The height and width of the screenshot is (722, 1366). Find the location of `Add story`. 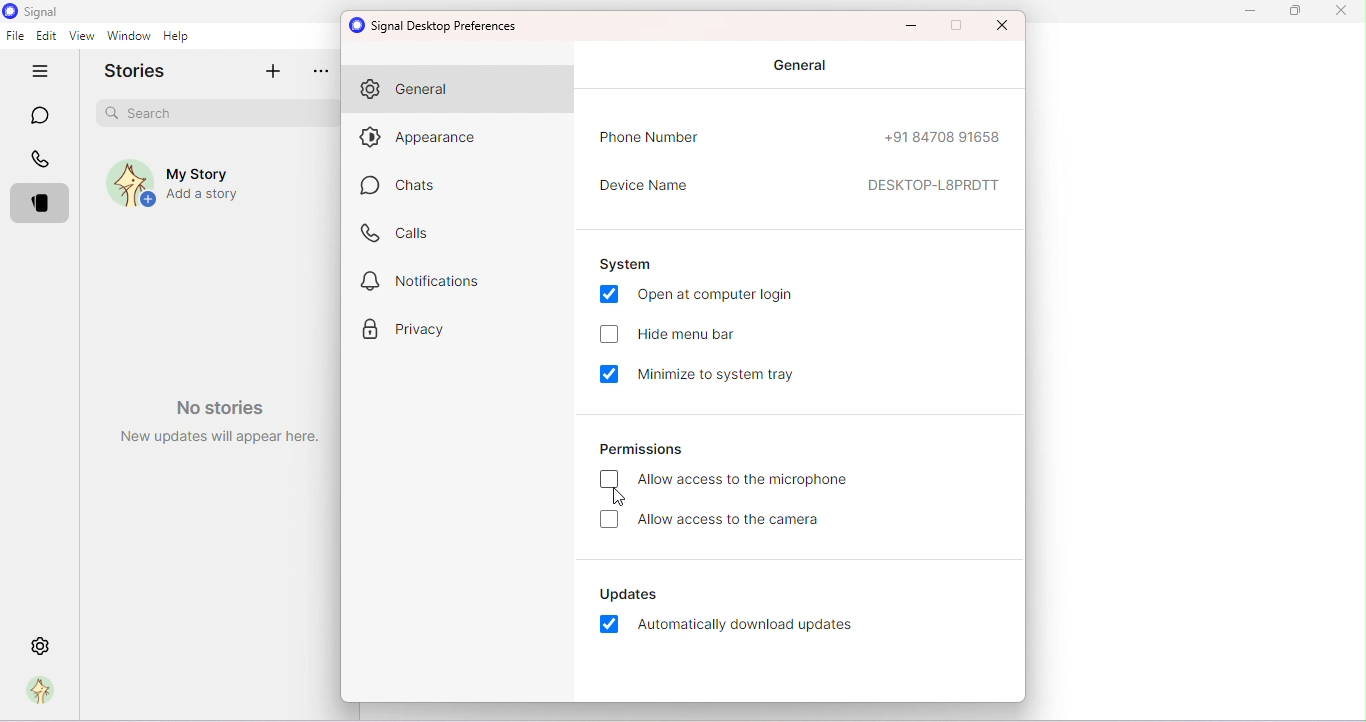

Add story is located at coordinates (277, 72).